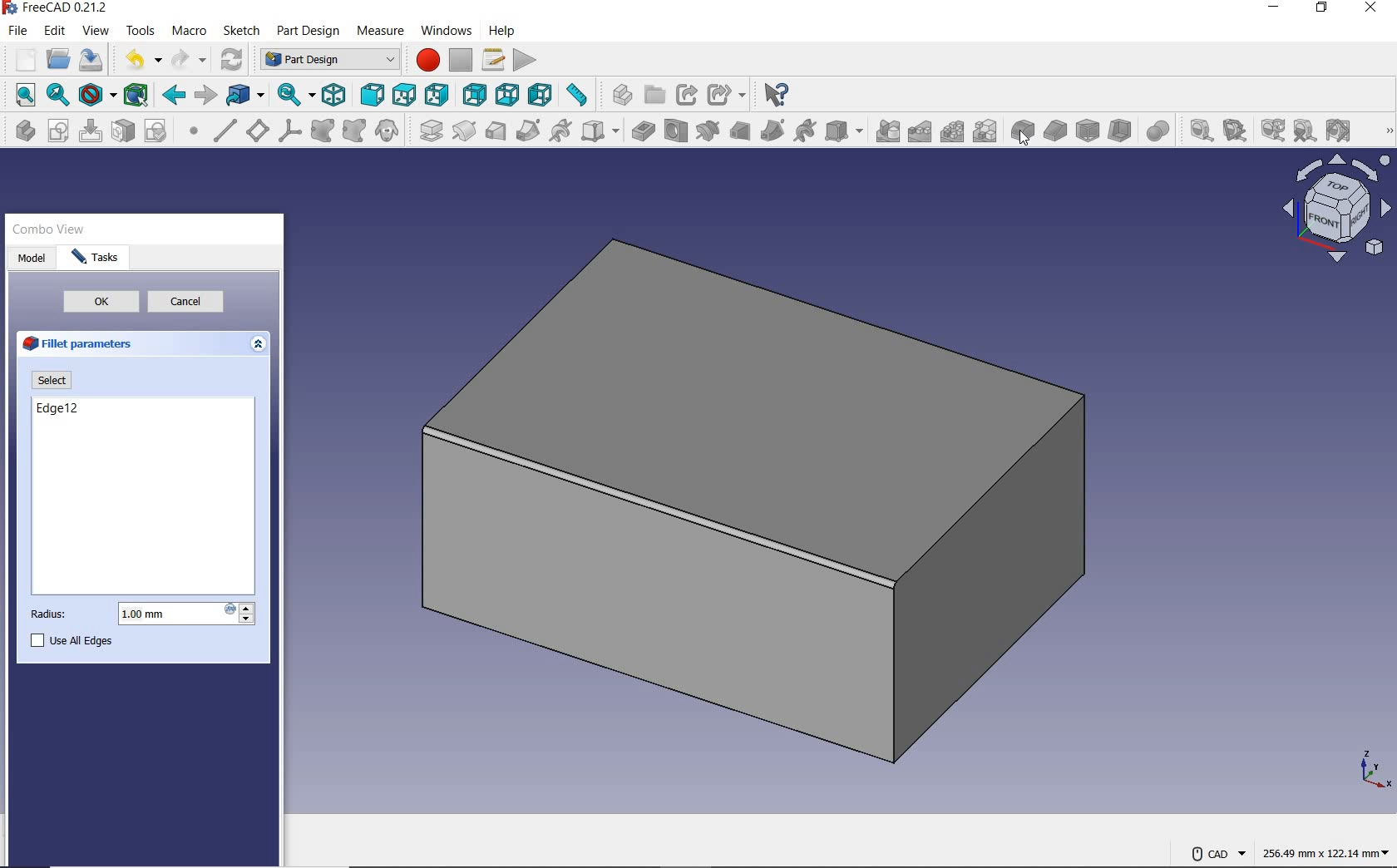 This screenshot has width=1397, height=868. I want to click on create a sub object, so click(356, 131).